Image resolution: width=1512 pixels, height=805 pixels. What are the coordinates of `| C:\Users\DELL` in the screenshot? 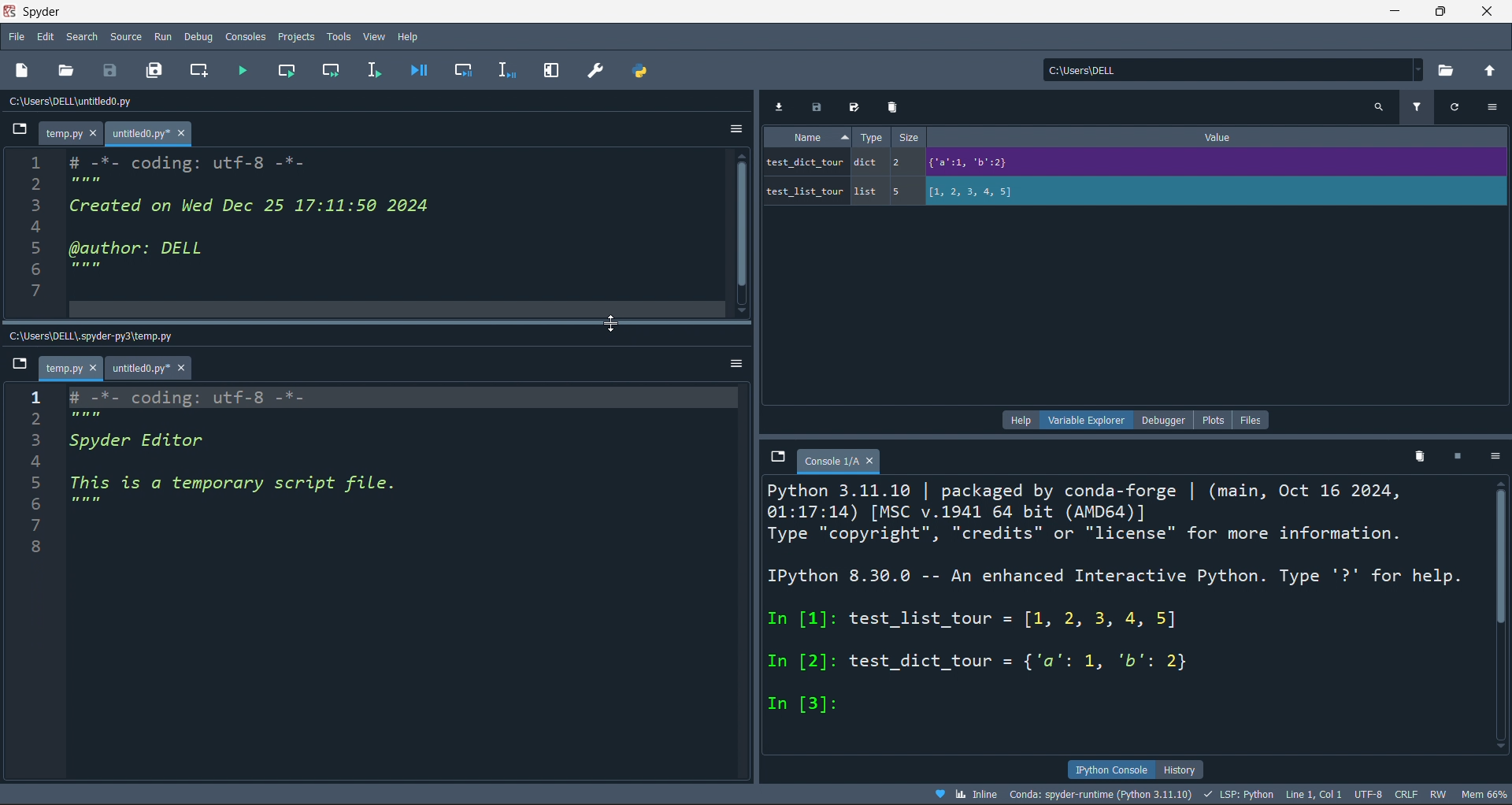 It's located at (1081, 69).